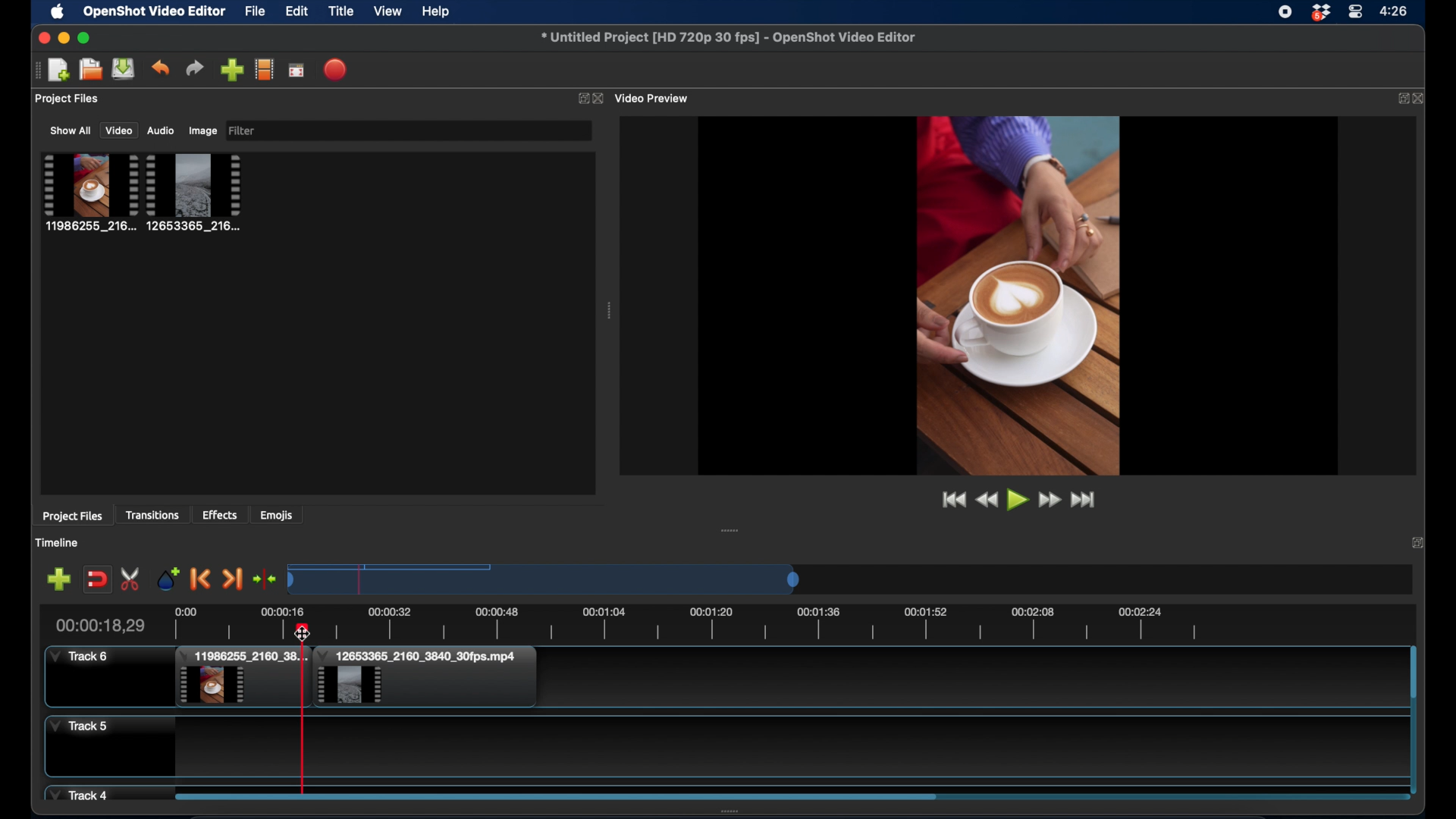 This screenshot has height=819, width=1456. I want to click on audio, so click(162, 130).